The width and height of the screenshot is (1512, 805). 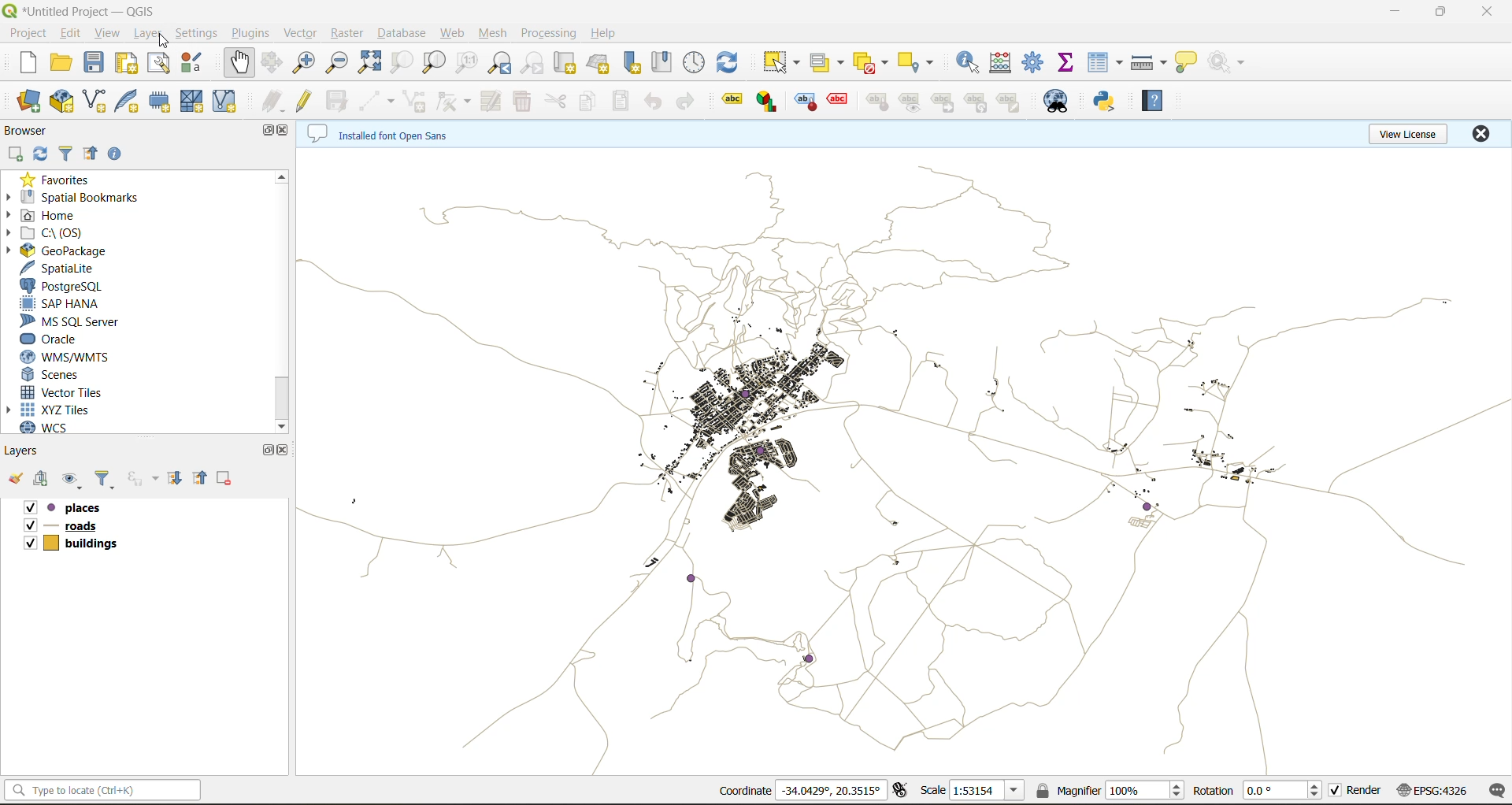 I want to click on oracle, so click(x=60, y=338).